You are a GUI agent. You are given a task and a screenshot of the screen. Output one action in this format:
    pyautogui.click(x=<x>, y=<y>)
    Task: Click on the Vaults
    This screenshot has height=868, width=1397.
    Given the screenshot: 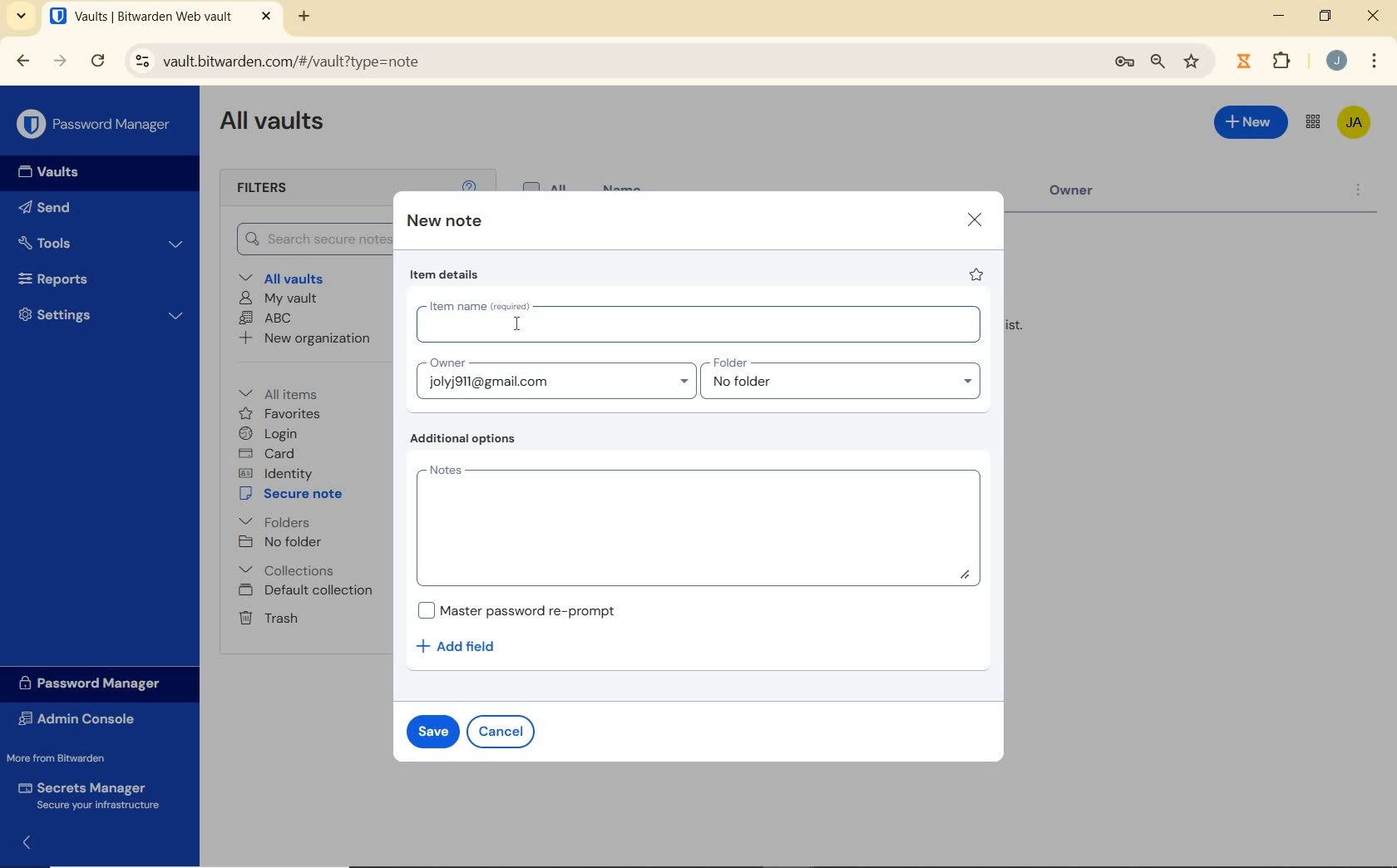 What is the action you would take?
    pyautogui.click(x=43, y=172)
    